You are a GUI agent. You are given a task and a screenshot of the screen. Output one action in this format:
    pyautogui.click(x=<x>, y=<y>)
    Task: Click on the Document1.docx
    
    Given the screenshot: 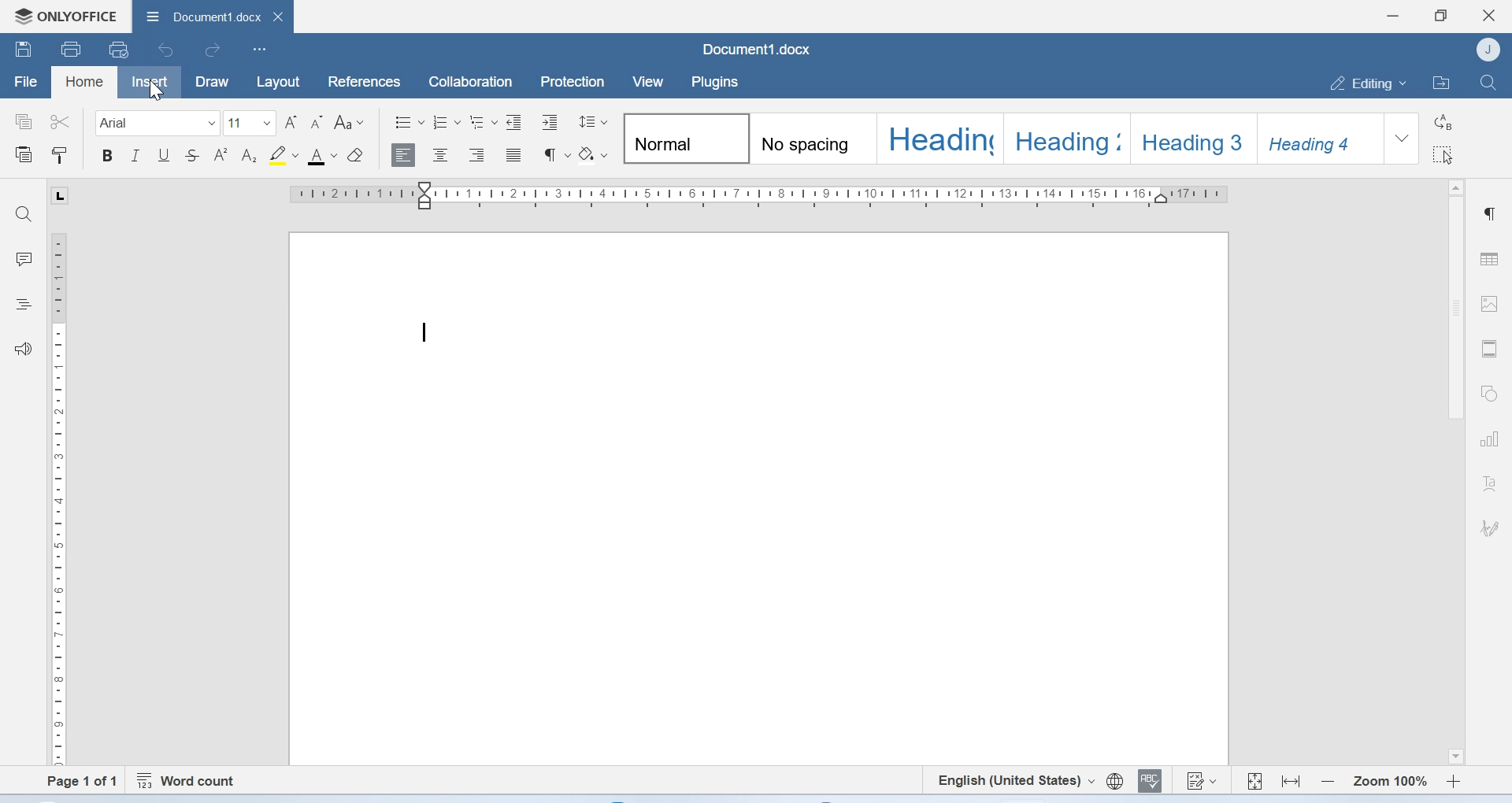 What is the action you would take?
    pyautogui.click(x=213, y=18)
    